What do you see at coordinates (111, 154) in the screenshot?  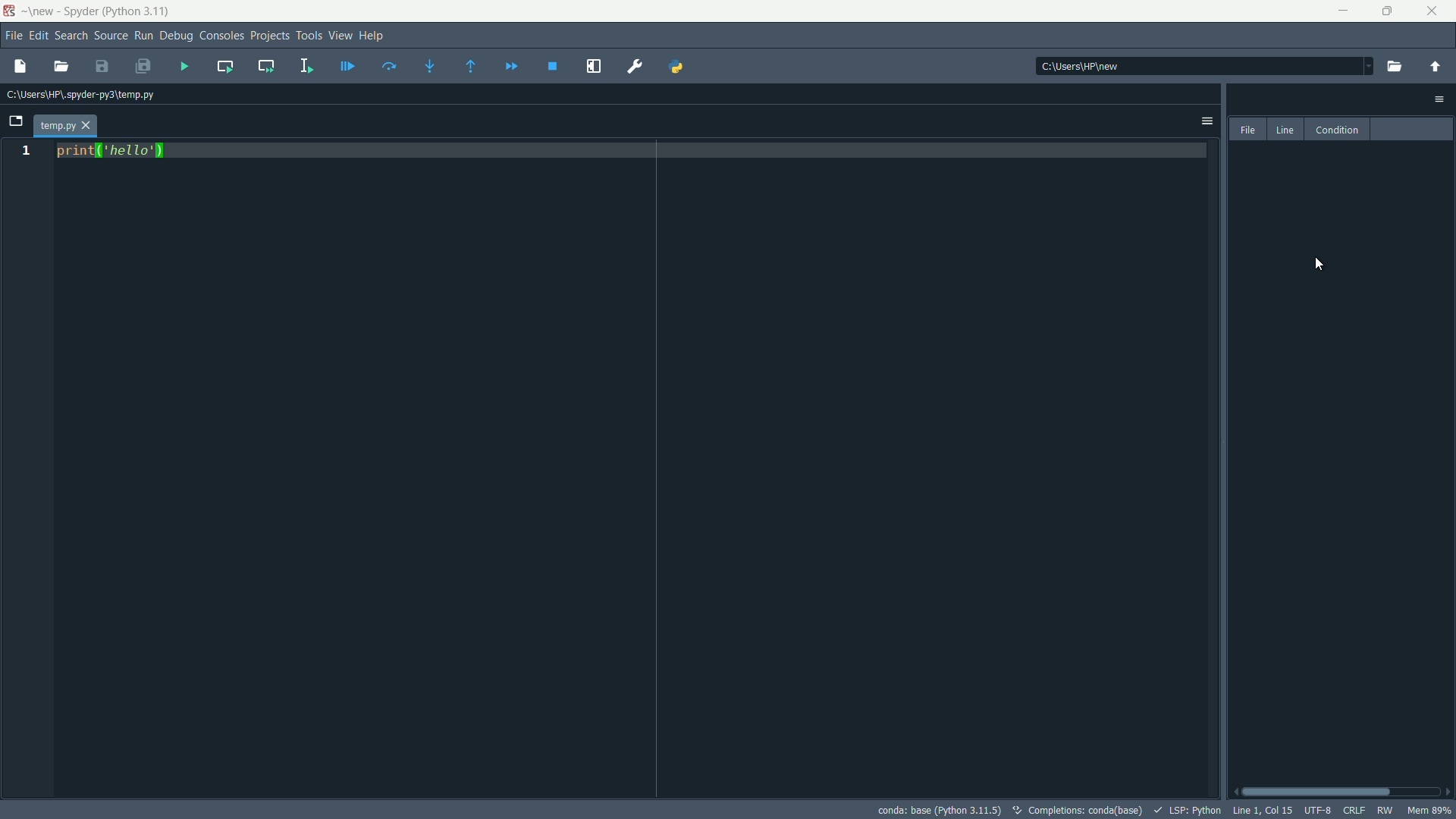 I see `print ('hello')` at bounding box center [111, 154].